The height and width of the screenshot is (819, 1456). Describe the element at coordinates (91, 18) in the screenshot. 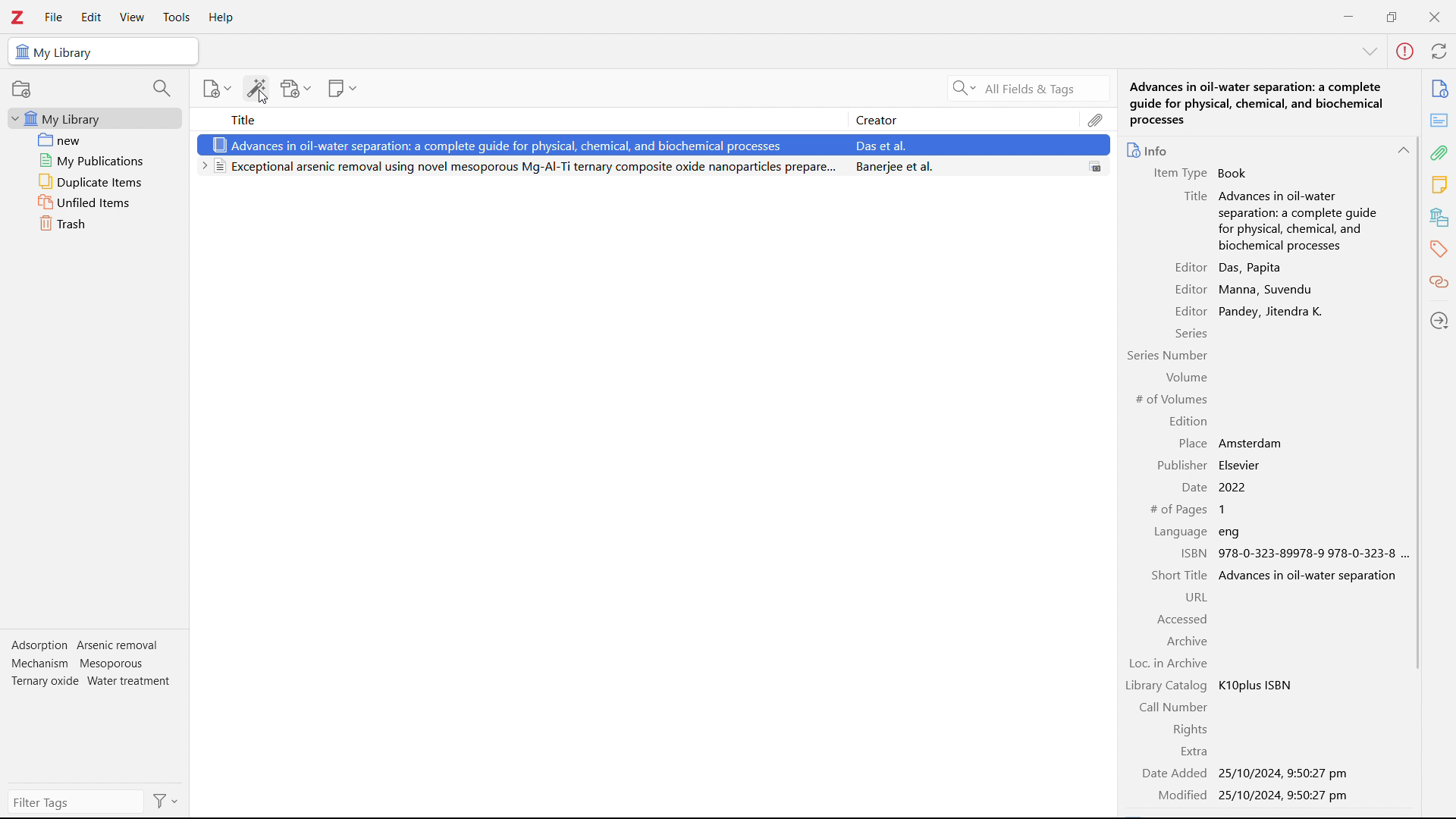

I see `edit` at that location.